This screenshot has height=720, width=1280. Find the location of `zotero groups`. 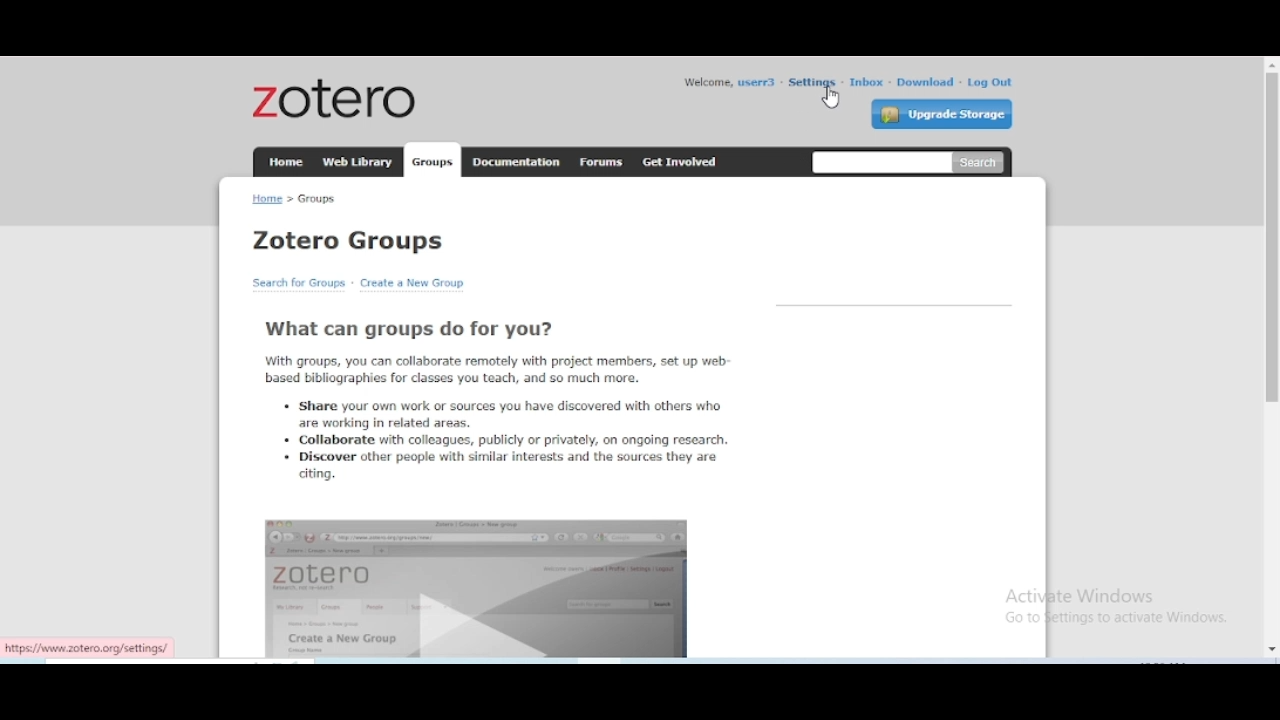

zotero groups is located at coordinates (348, 241).